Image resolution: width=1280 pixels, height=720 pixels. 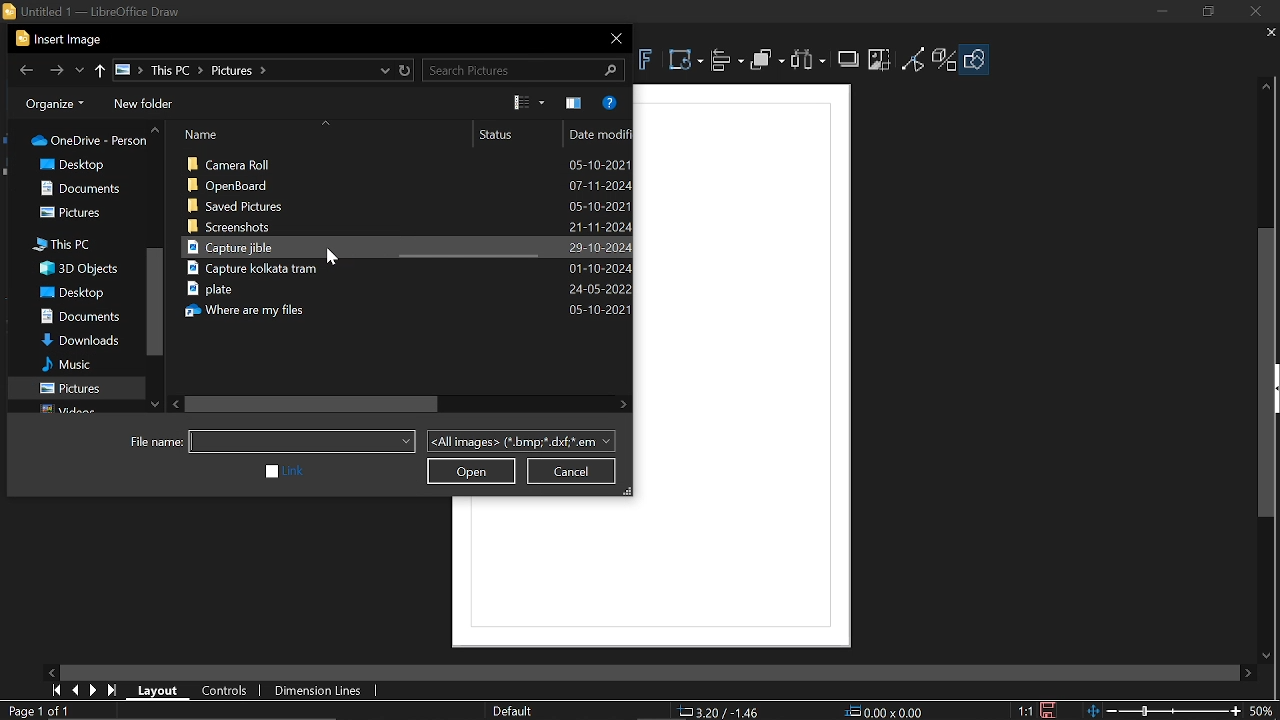 What do you see at coordinates (314, 404) in the screenshot?
I see `Horizontal scrollbar` at bounding box center [314, 404].